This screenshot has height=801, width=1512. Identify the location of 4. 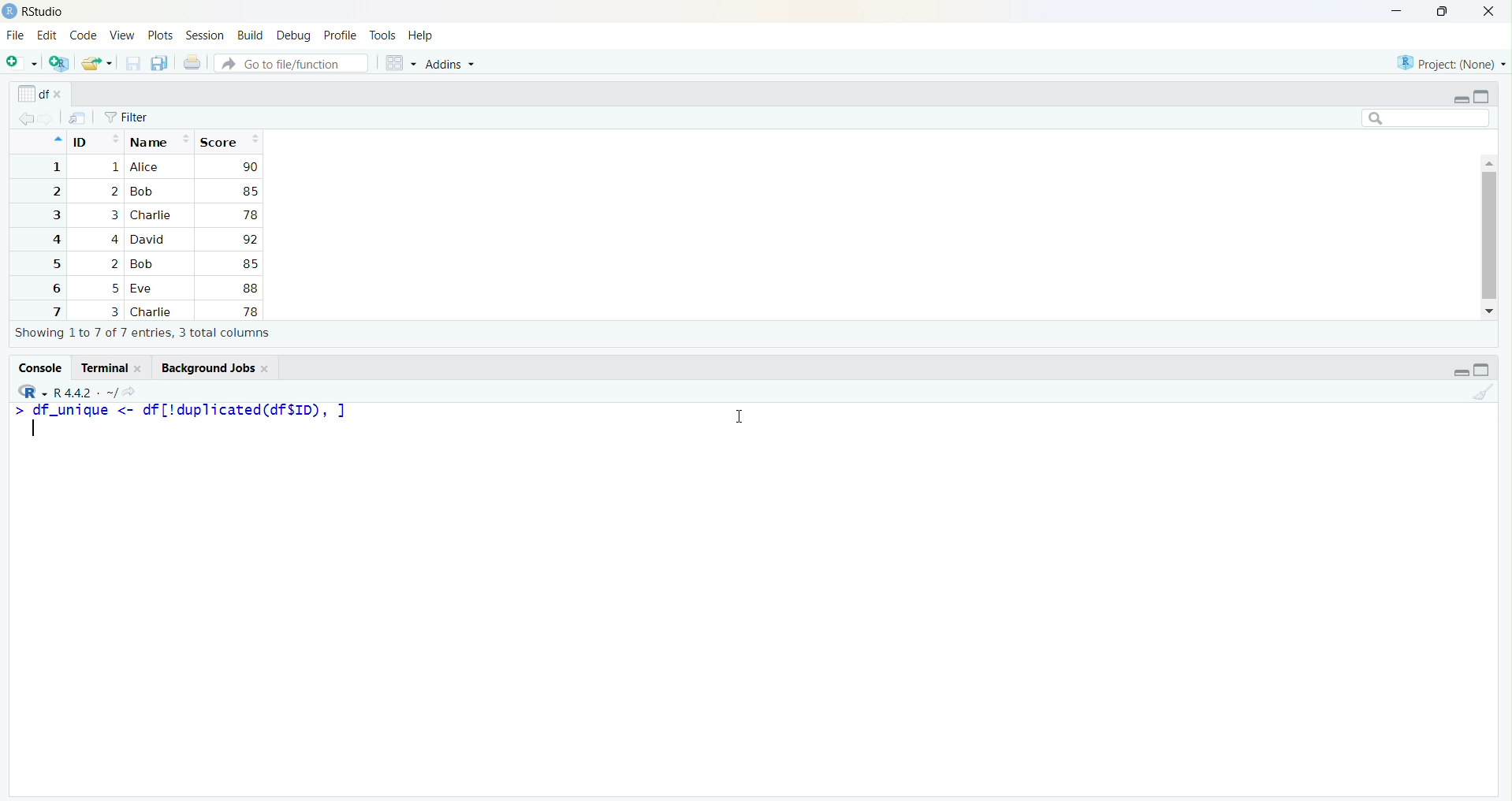
(54, 240).